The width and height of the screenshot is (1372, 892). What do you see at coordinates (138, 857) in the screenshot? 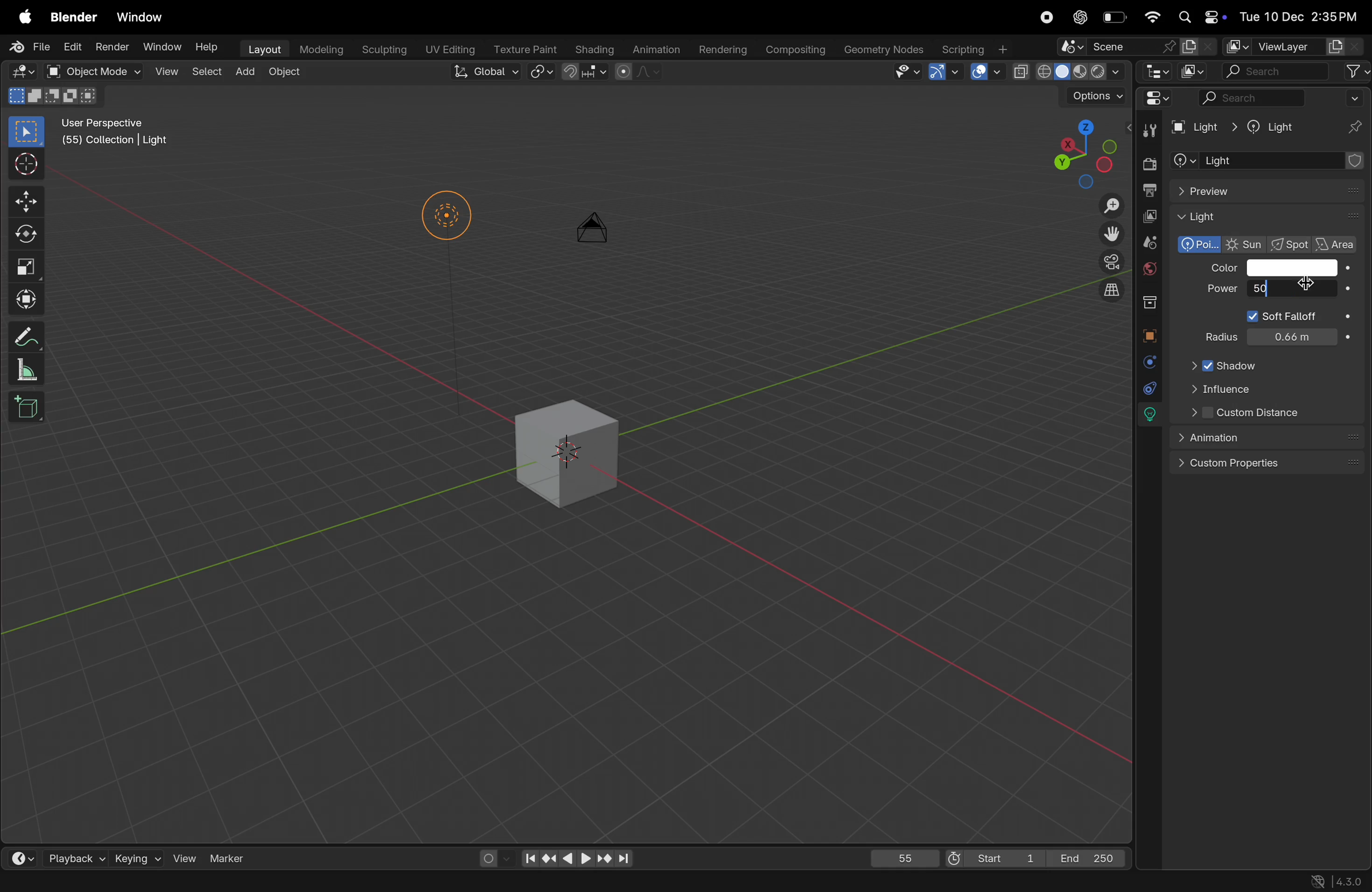
I see `keying` at bounding box center [138, 857].